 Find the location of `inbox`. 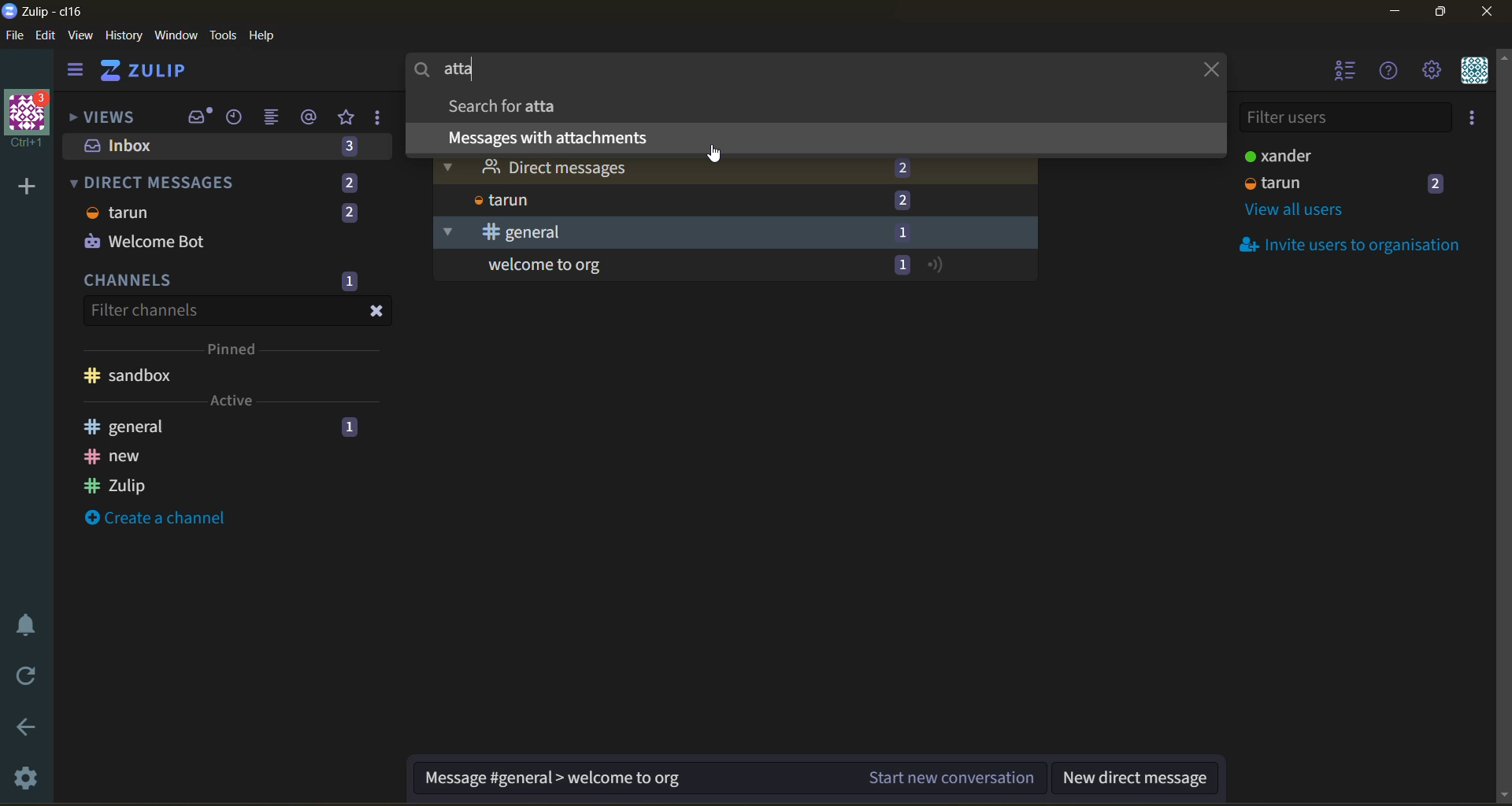

inbox is located at coordinates (125, 146).